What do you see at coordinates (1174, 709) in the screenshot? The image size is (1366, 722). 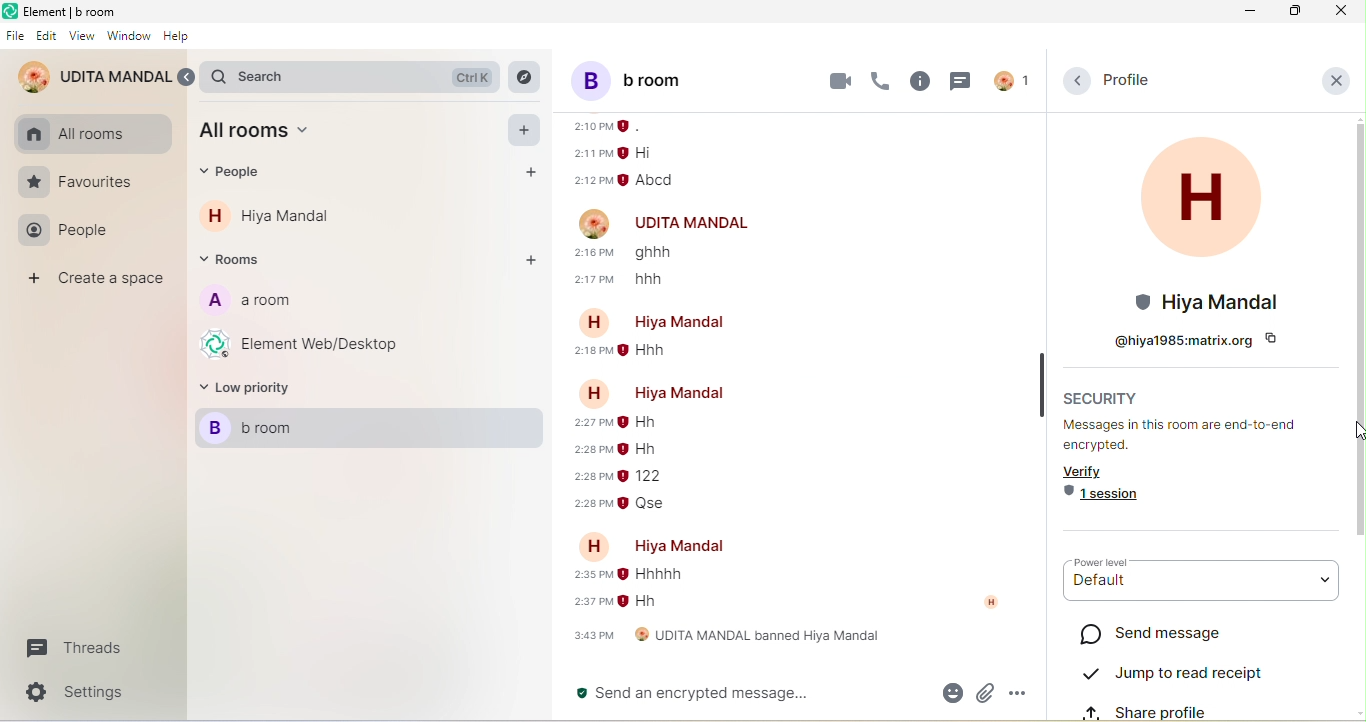 I see `share profile` at bounding box center [1174, 709].